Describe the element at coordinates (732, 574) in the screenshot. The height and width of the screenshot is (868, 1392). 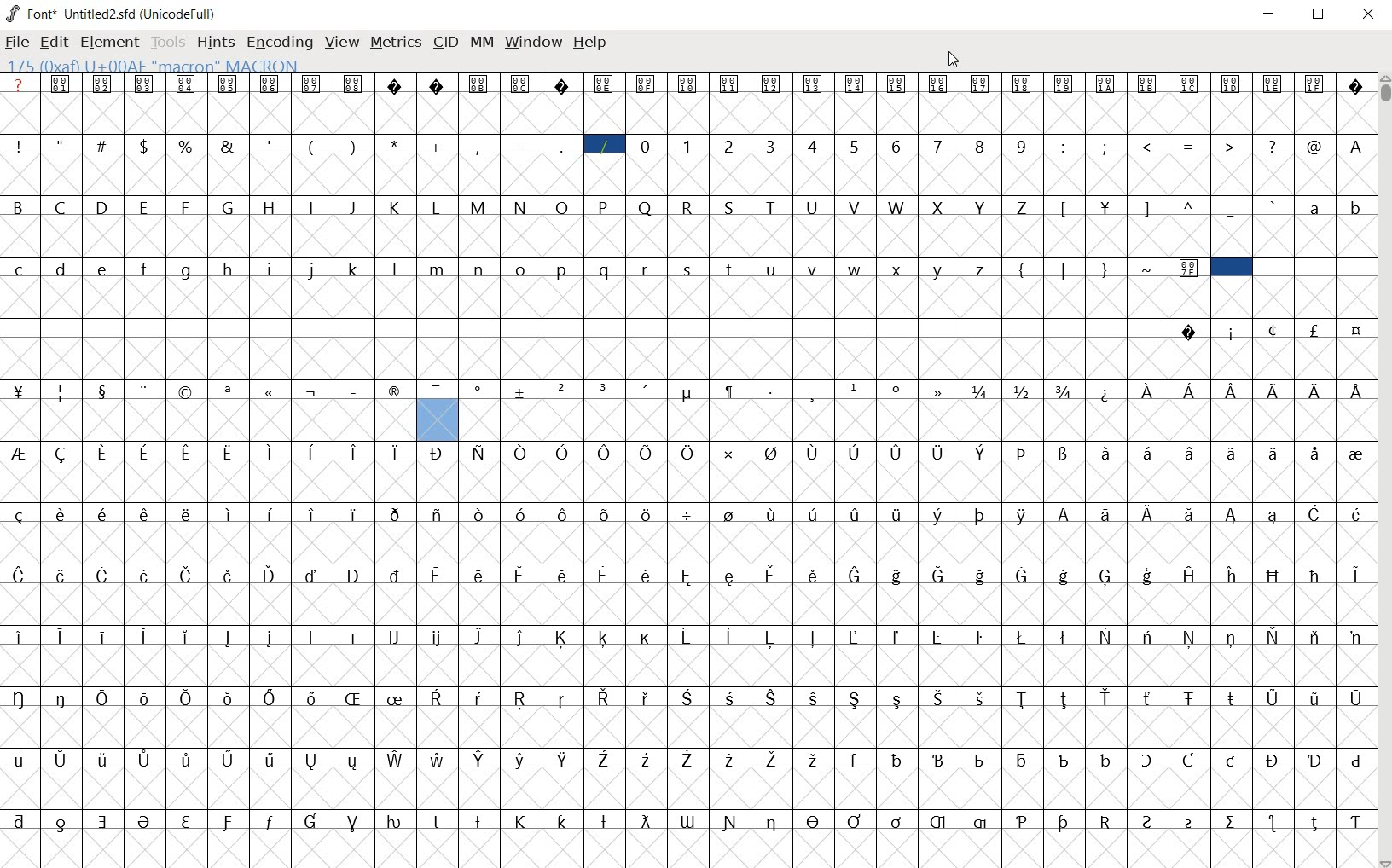
I see `Symbol` at that location.